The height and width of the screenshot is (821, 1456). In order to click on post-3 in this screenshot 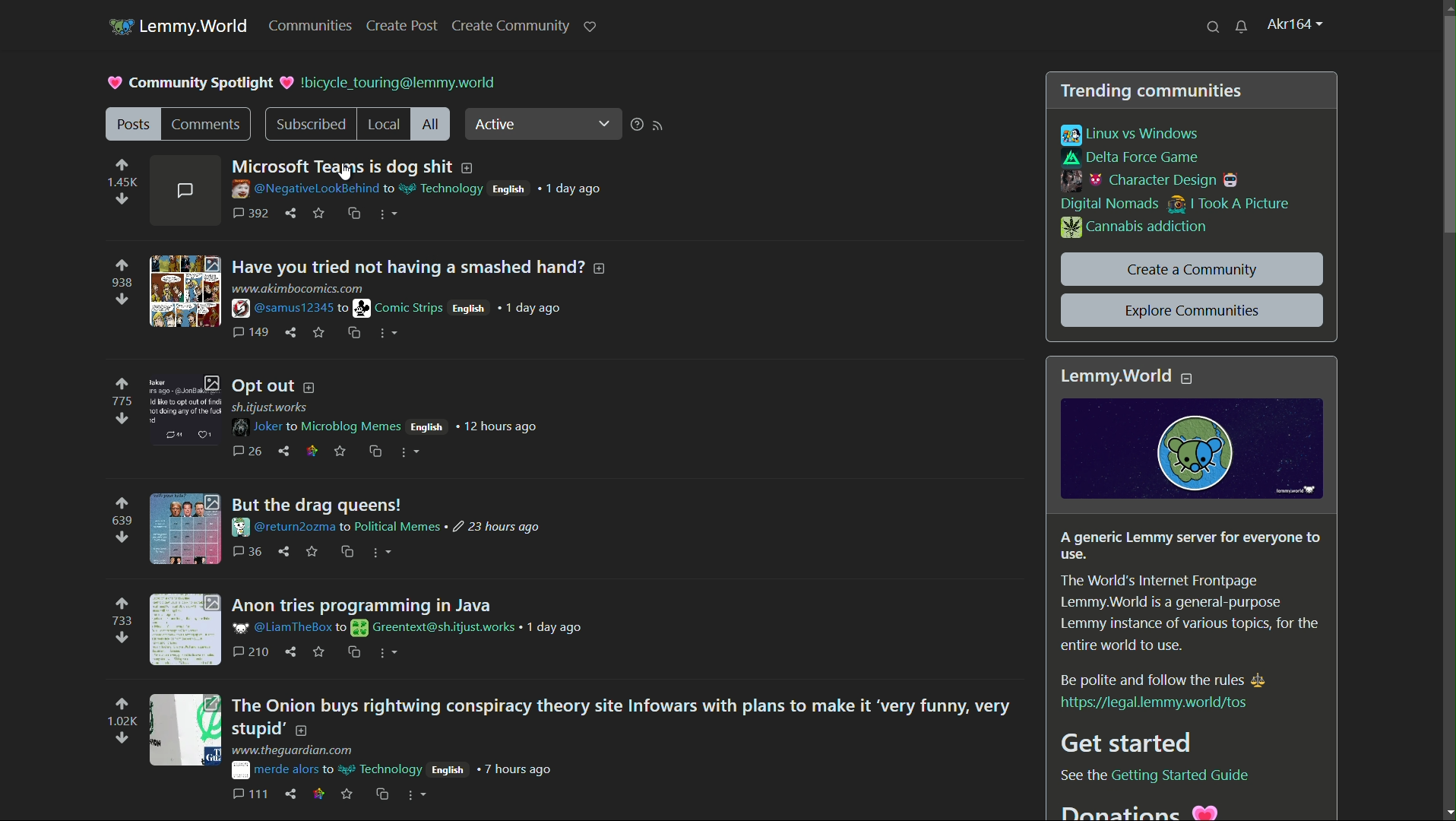, I will do `click(275, 384)`.